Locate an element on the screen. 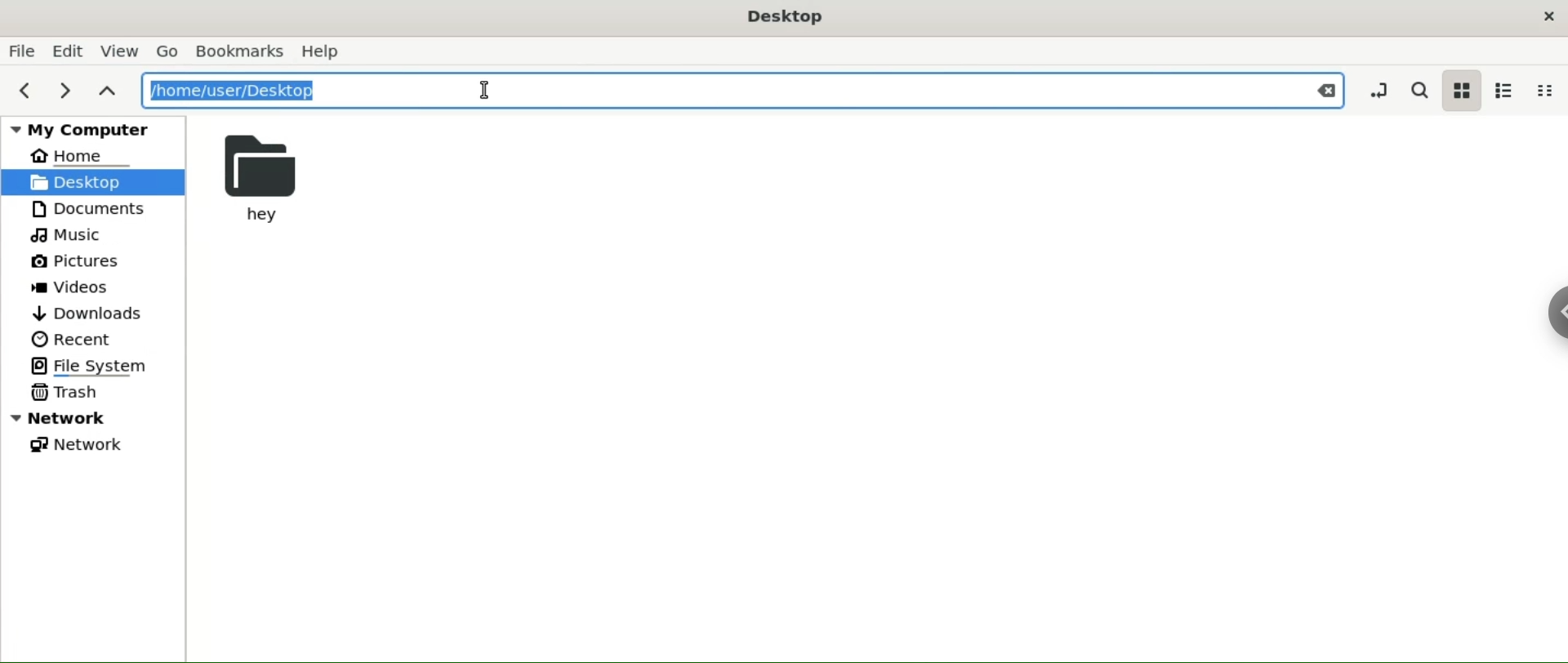 The width and height of the screenshot is (1568, 663). documents is located at coordinates (98, 211).